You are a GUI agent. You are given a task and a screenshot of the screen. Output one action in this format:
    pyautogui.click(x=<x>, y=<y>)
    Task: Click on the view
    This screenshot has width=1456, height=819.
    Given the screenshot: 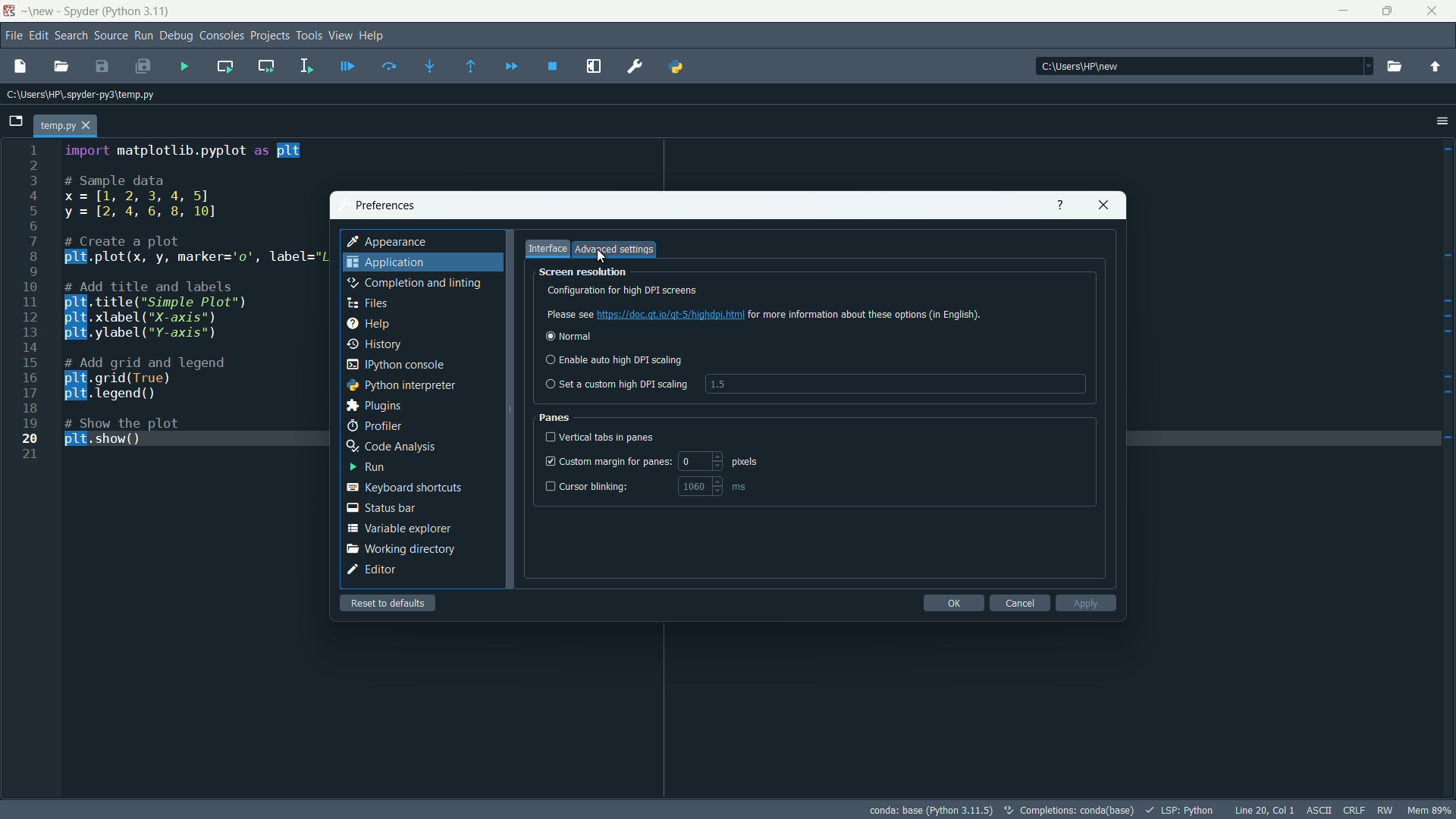 What is the action you would take?
    pyautogui.click(x=340, y=36)
    